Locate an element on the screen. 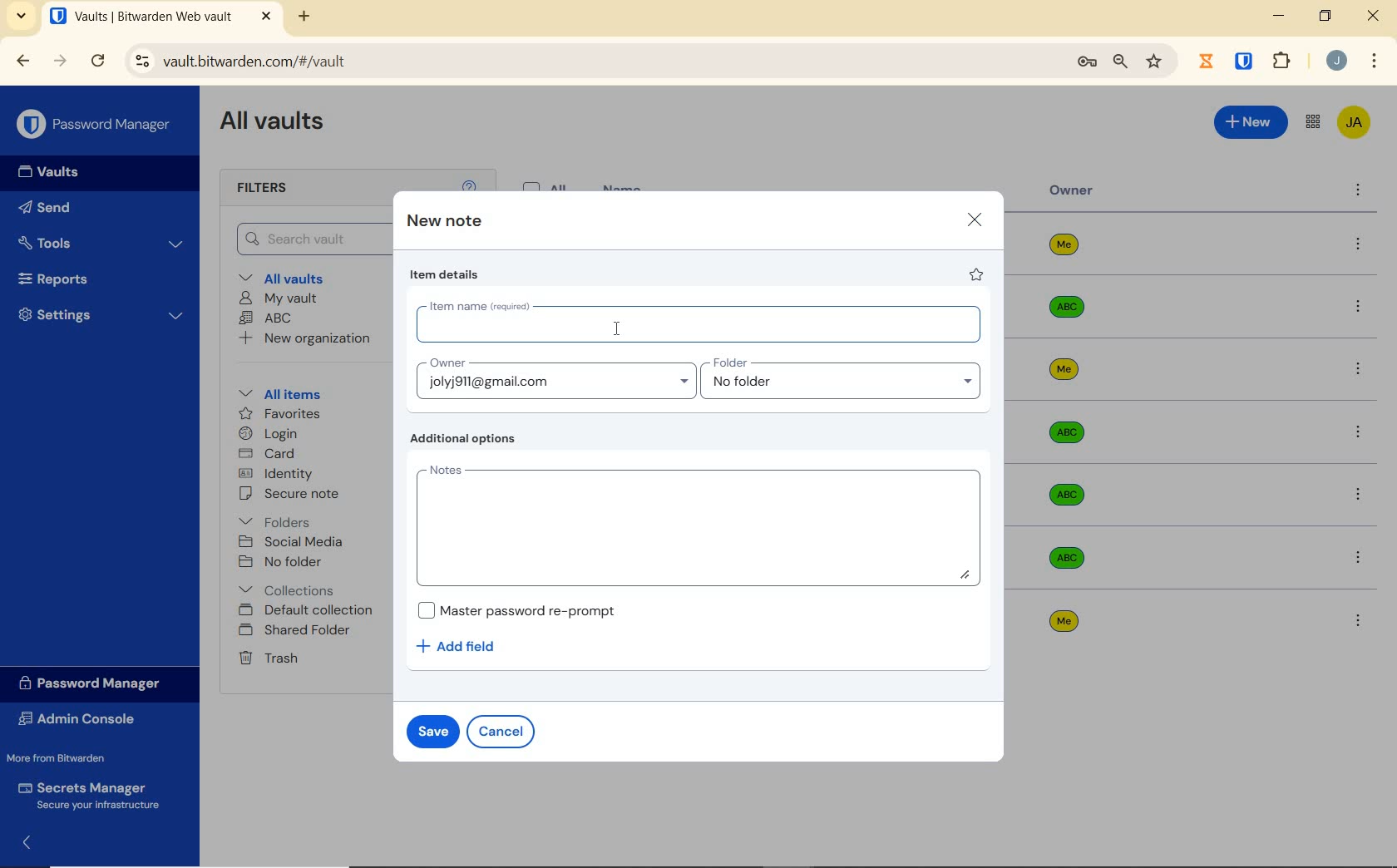  Secrets Manager is located at coordinates (93, 793).